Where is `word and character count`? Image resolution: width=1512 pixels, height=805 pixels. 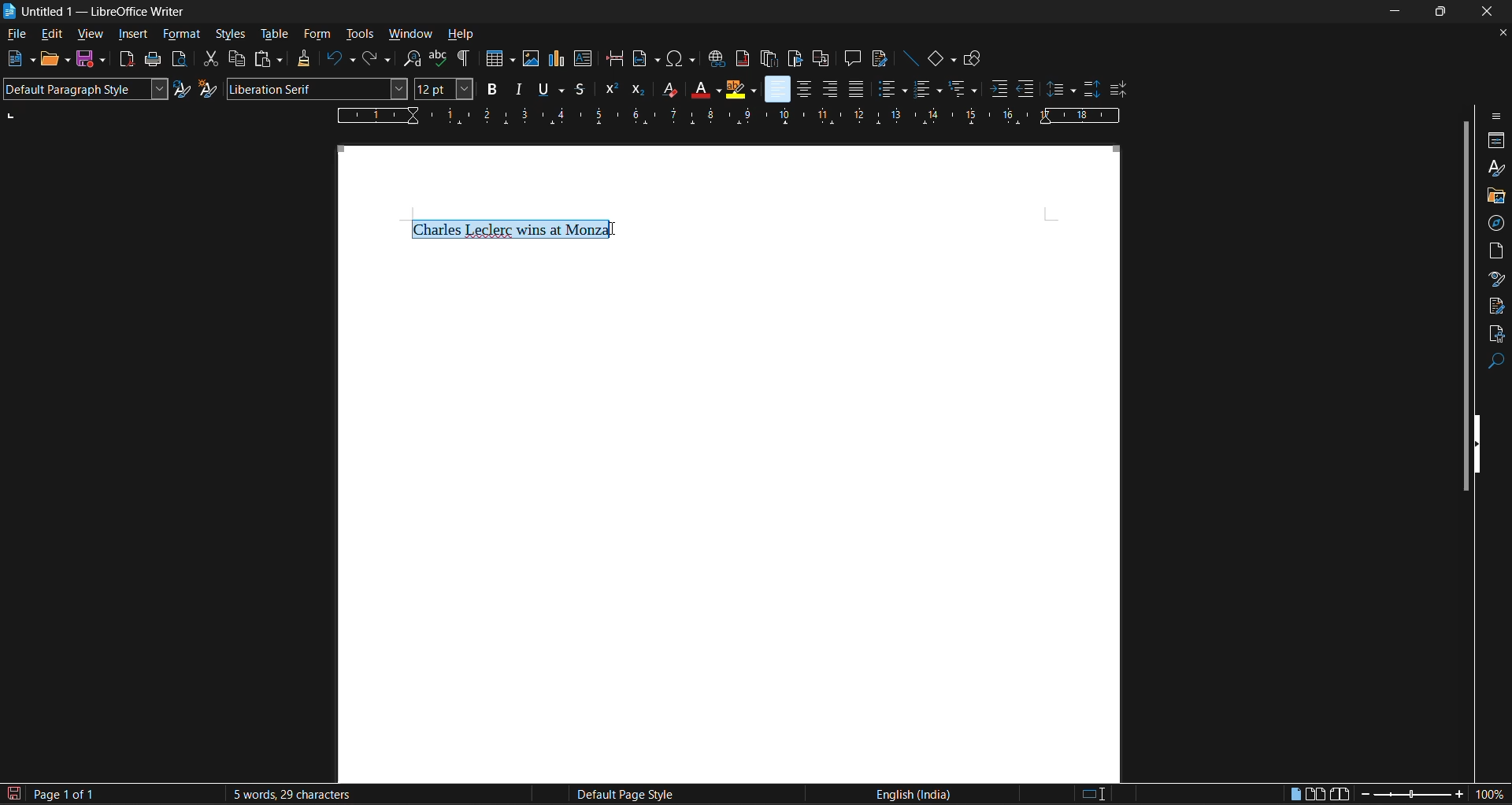 word and character count is located at coordinates (290, 794).